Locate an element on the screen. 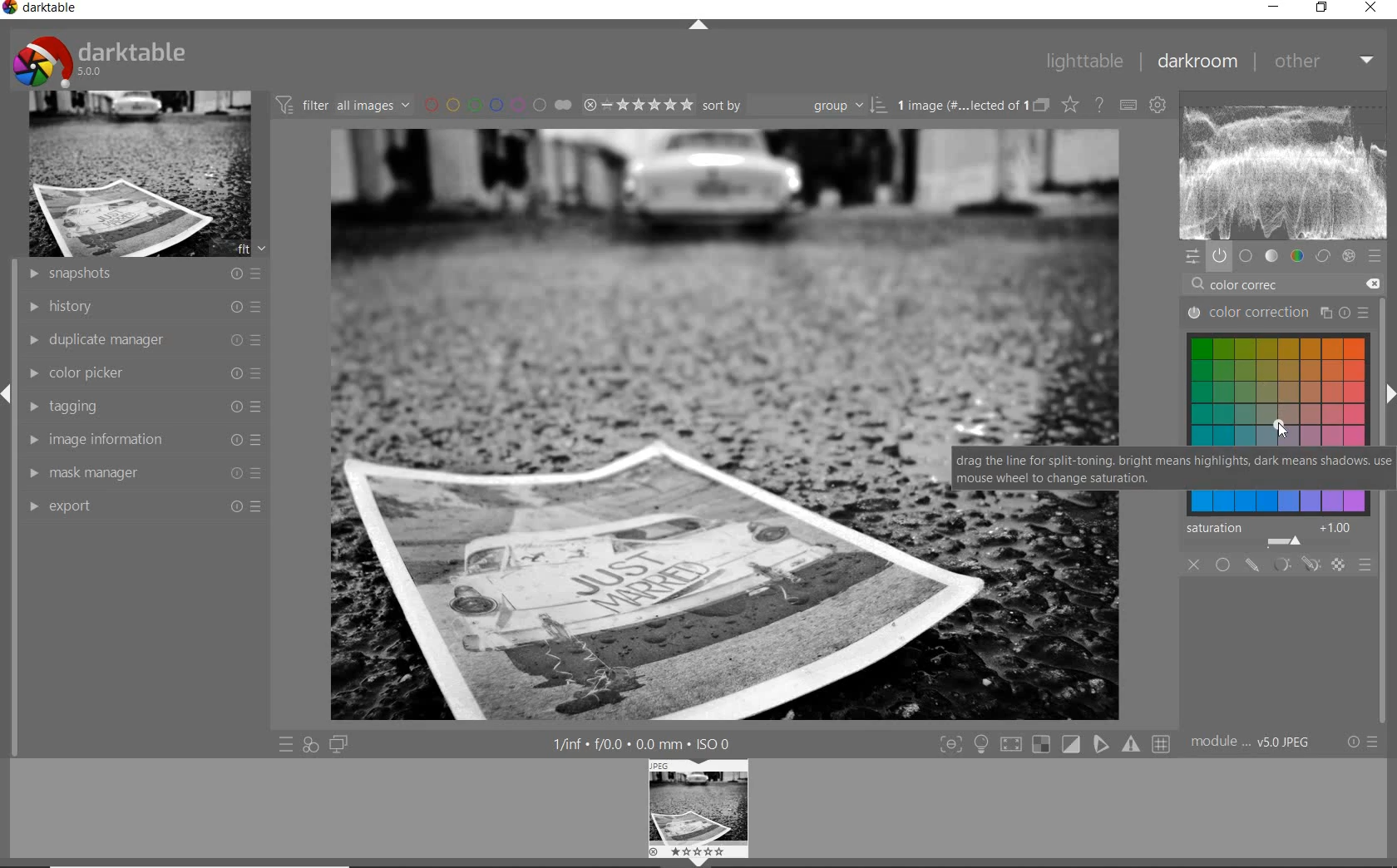  close is located at coordinates (1194, 565).